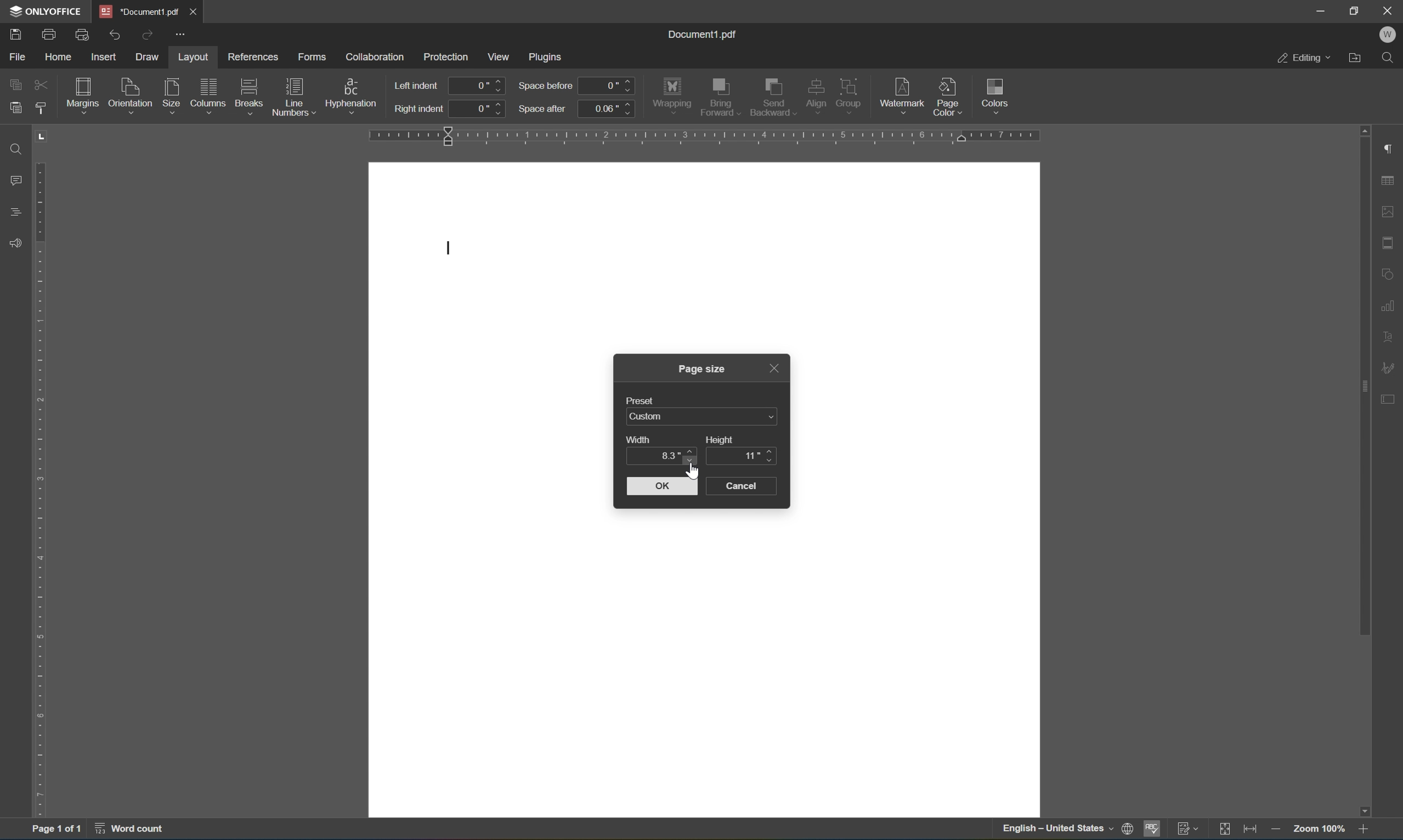 The height and width of the screenshot is (840, 1403). Describe the element at coordinates (545, 86) in the screenshot. I see `space before` at that location.